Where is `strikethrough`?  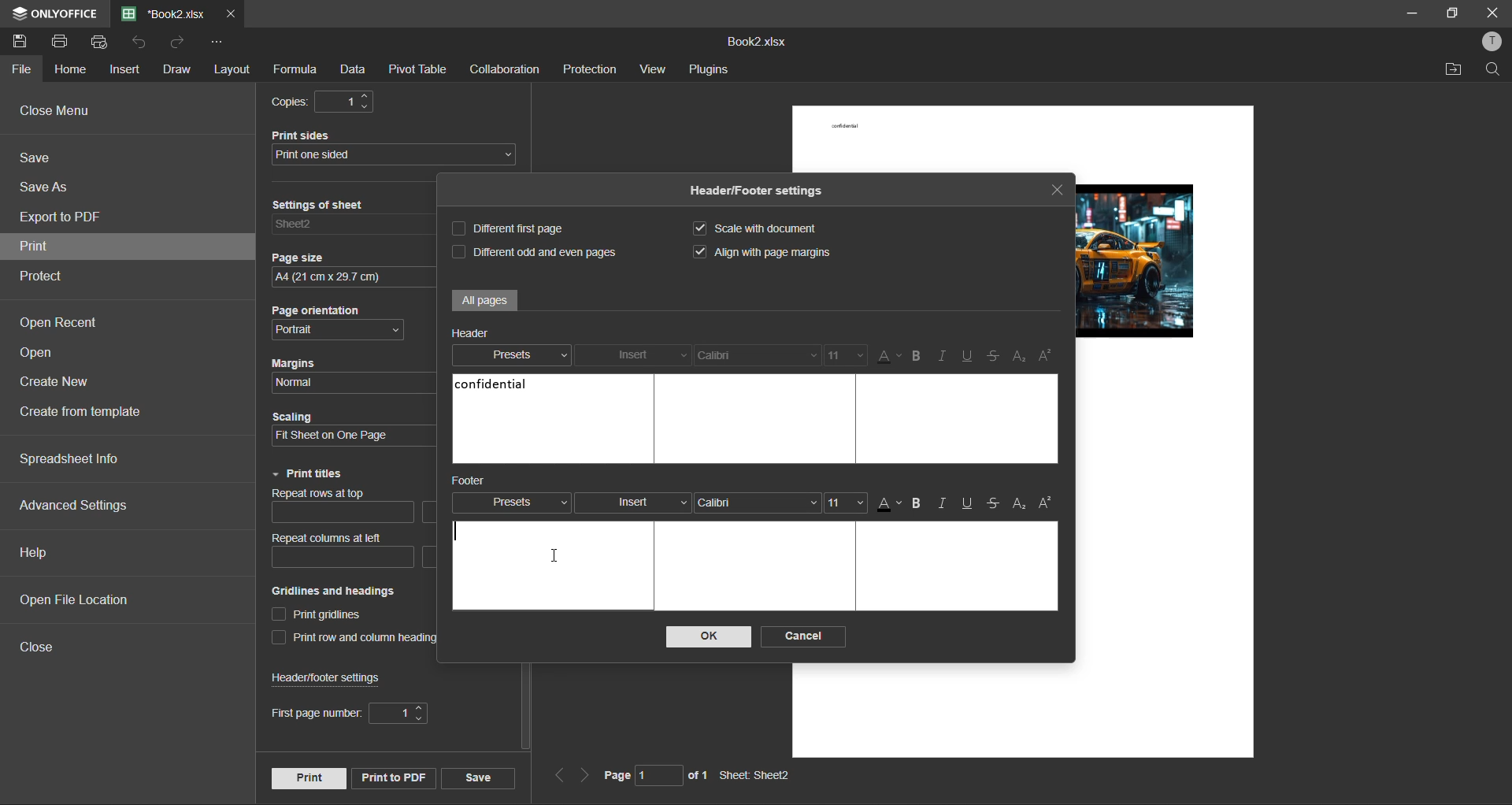 strikethrough is located at coordinates (995, 357).